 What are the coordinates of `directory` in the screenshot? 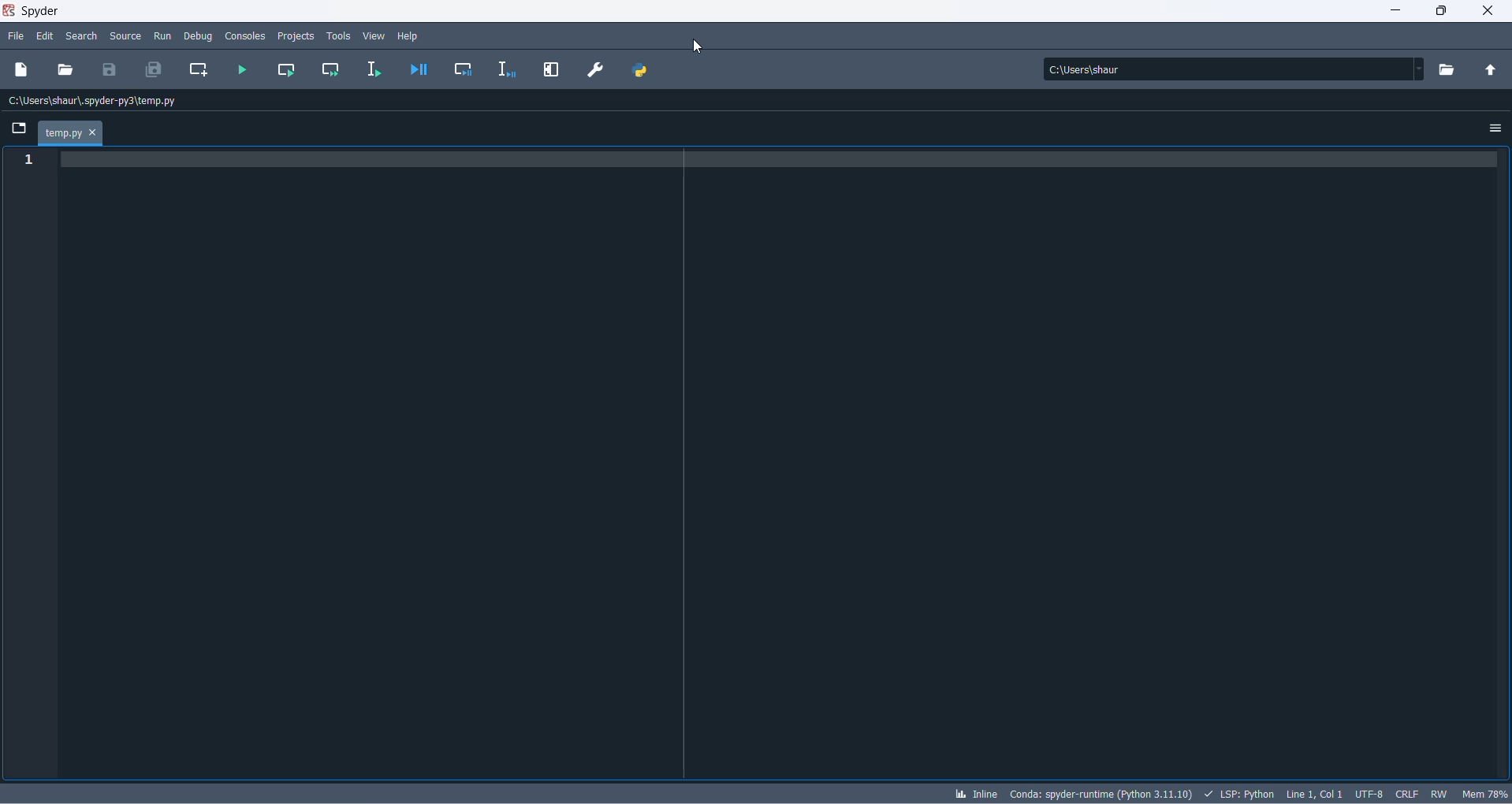 It's located at (1451, 70).